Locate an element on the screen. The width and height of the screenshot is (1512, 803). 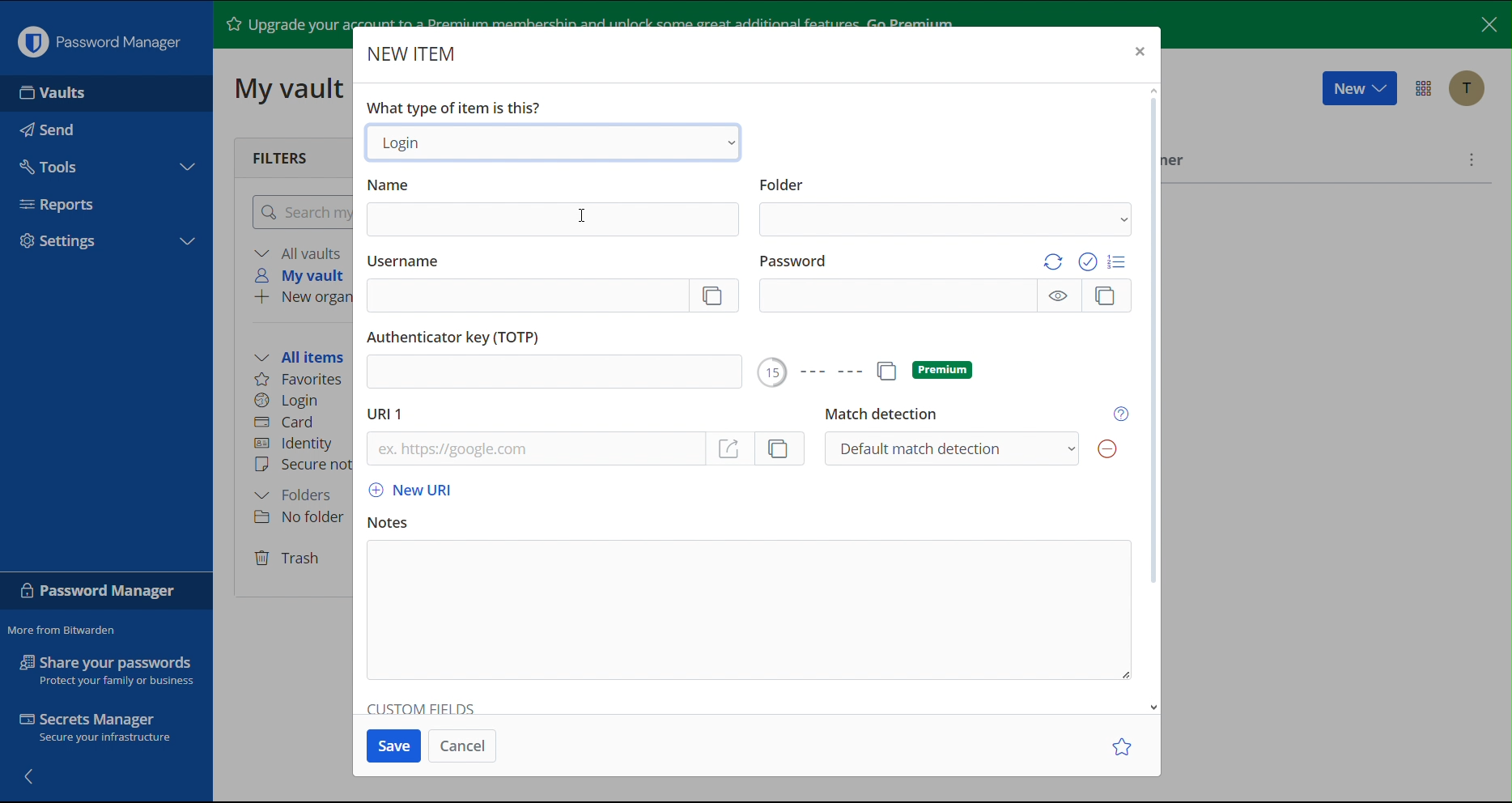
Filters is located at coordinates (284, 156).